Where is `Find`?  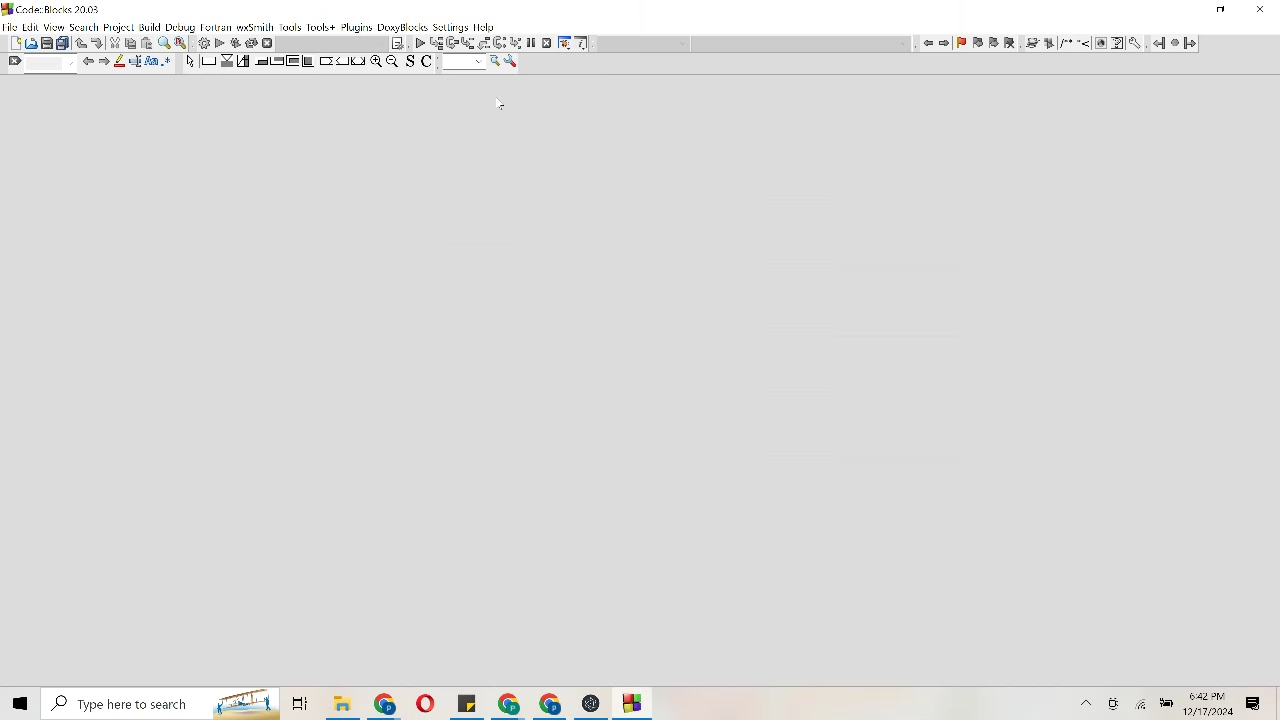 Find is located at coordinates (40, 64).